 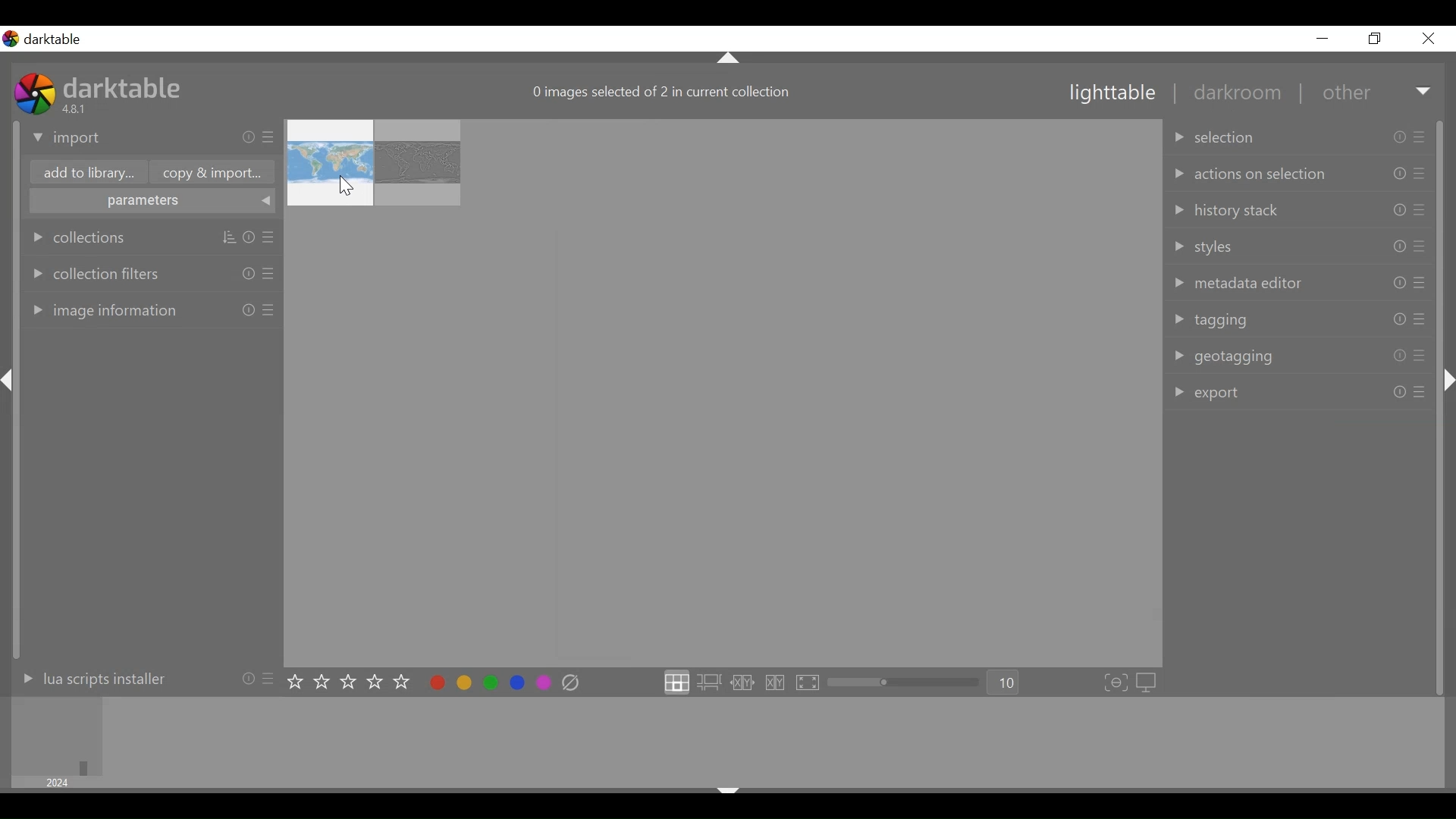 What do you see at coordinates (743, 683) in the screenshot?
I see `click to enter culling layout in fixed mode` at bounding box center [743, 683].